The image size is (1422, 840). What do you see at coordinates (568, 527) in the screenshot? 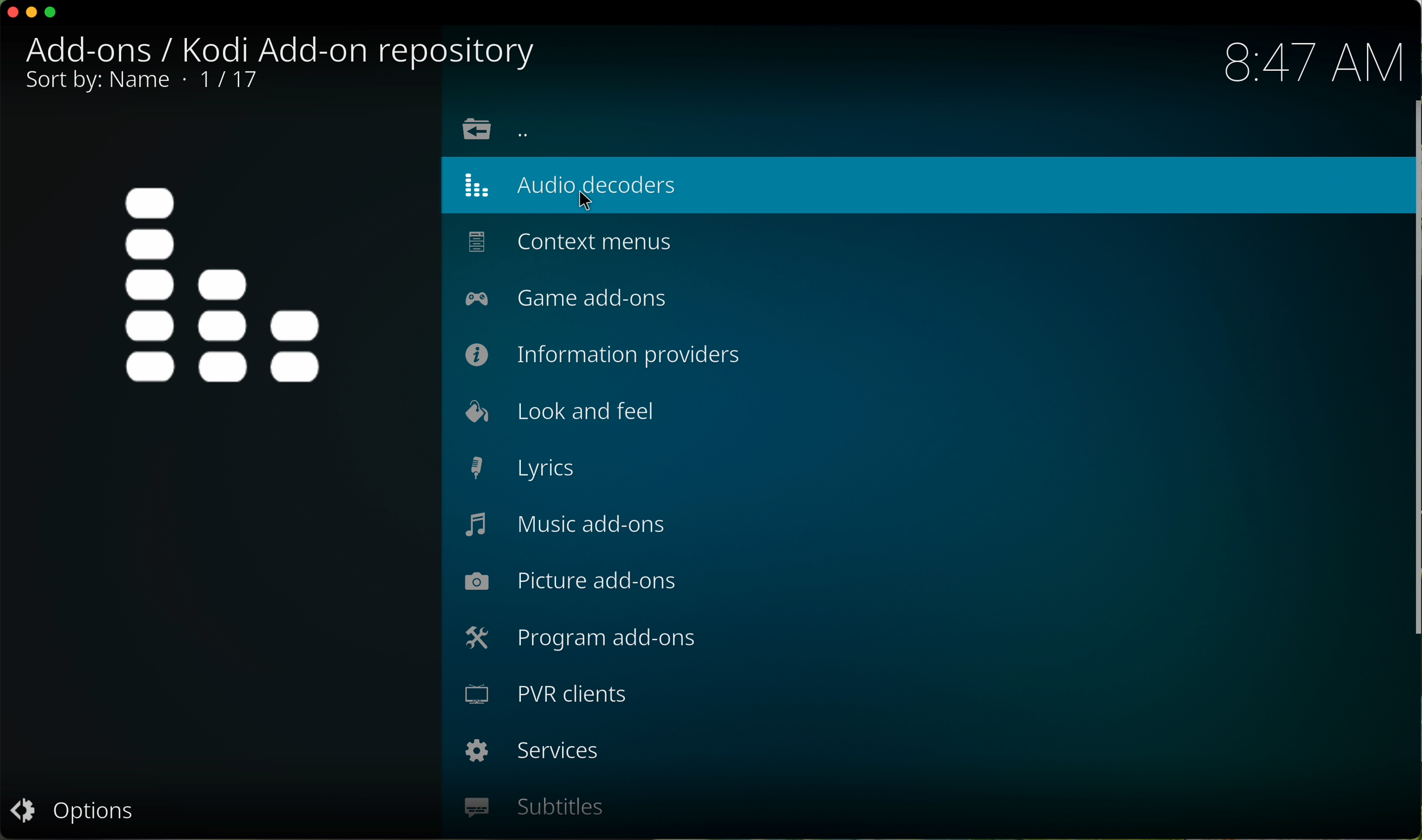
I see `music add-ons` at bounding box center [568, 527].